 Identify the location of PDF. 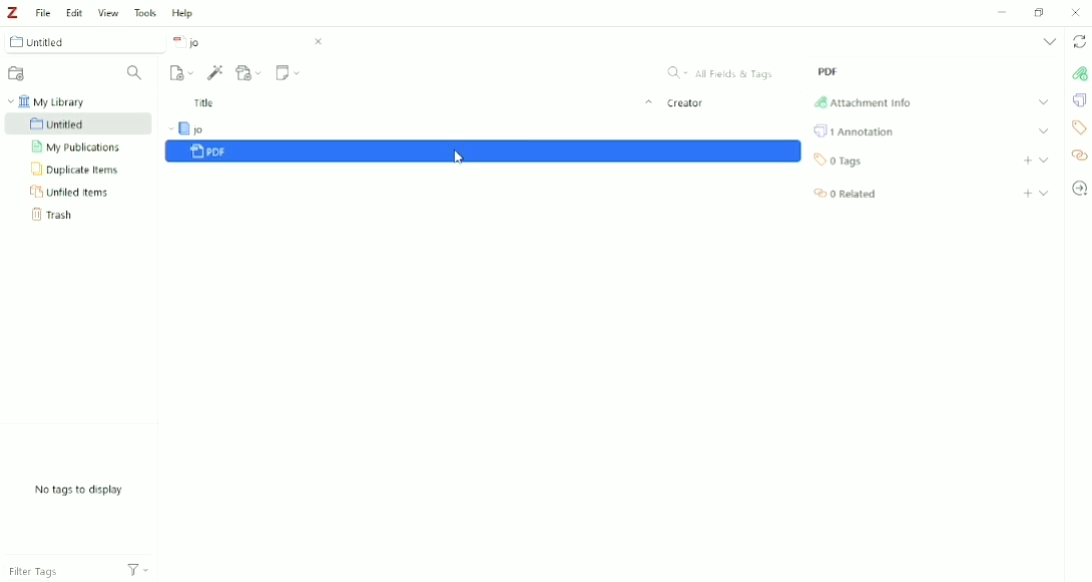
(484, 153).